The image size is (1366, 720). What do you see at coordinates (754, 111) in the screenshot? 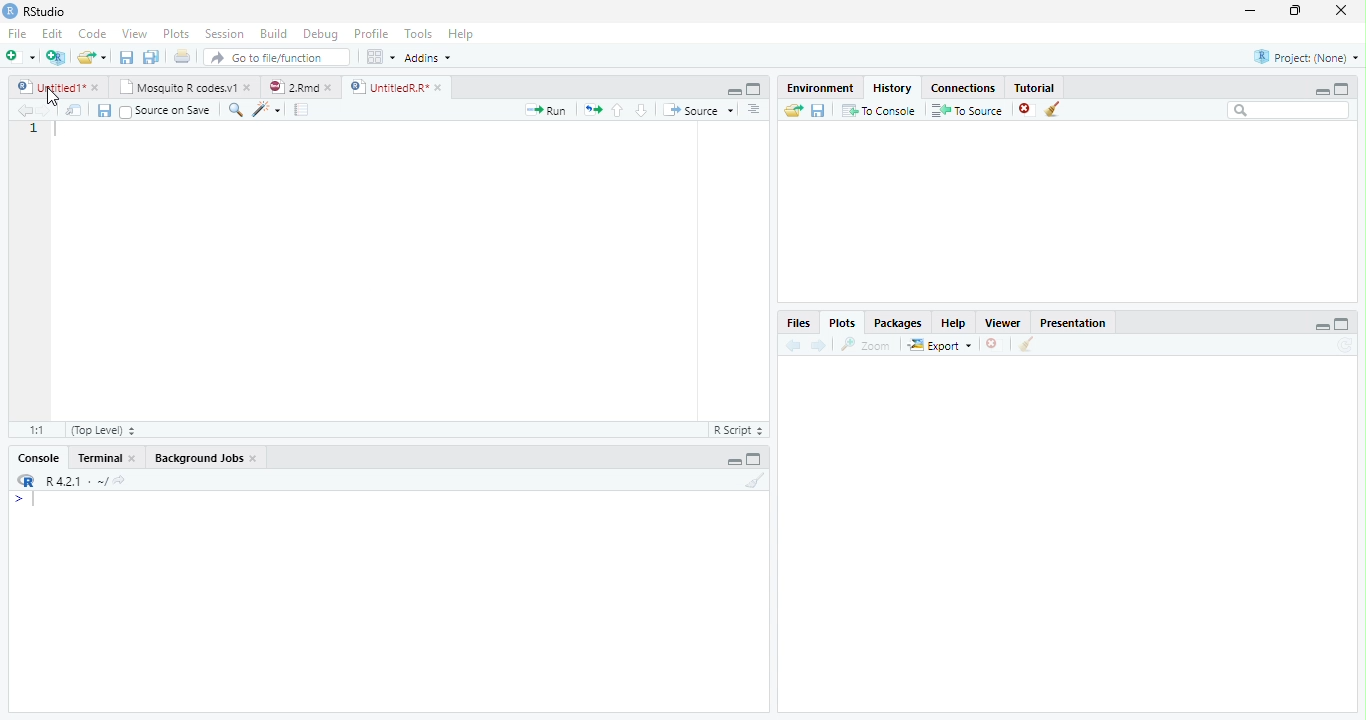
I see `Document outline` at bounding box center [754, 111].